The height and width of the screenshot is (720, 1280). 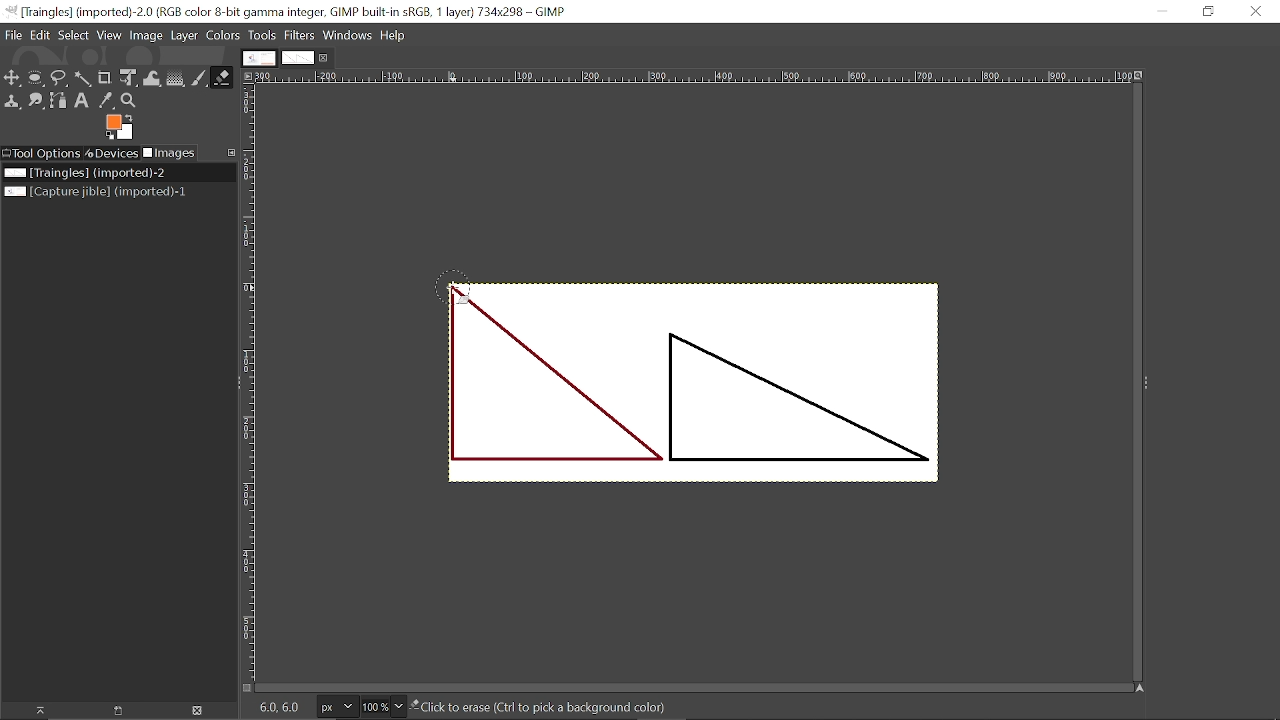 What do you see at coordinates (36, 101) in the screenshot?
I see `Smudge tool` at bounding box center [36, 101].